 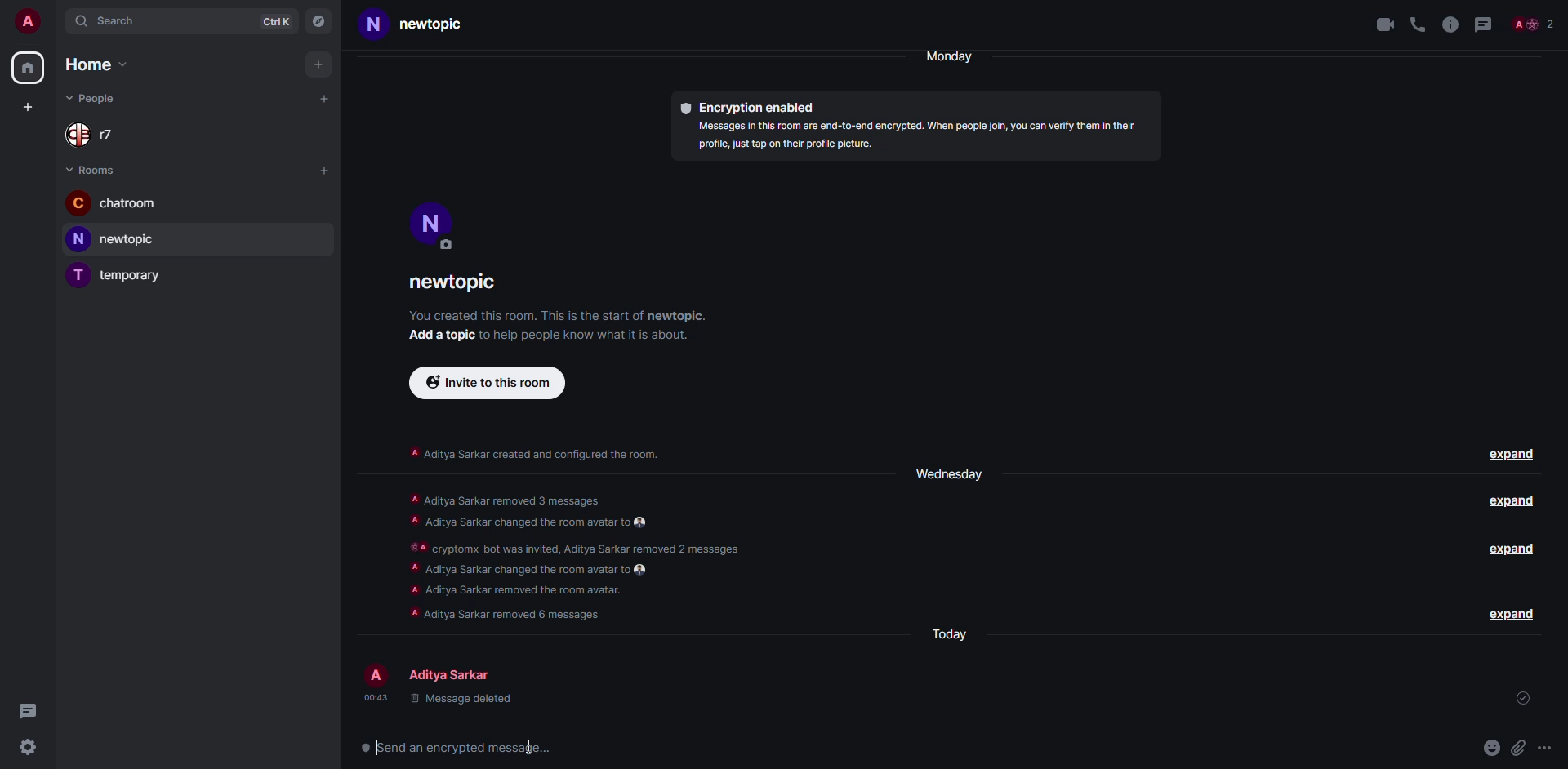 I want to click on profile, so click(x=432, y=222).